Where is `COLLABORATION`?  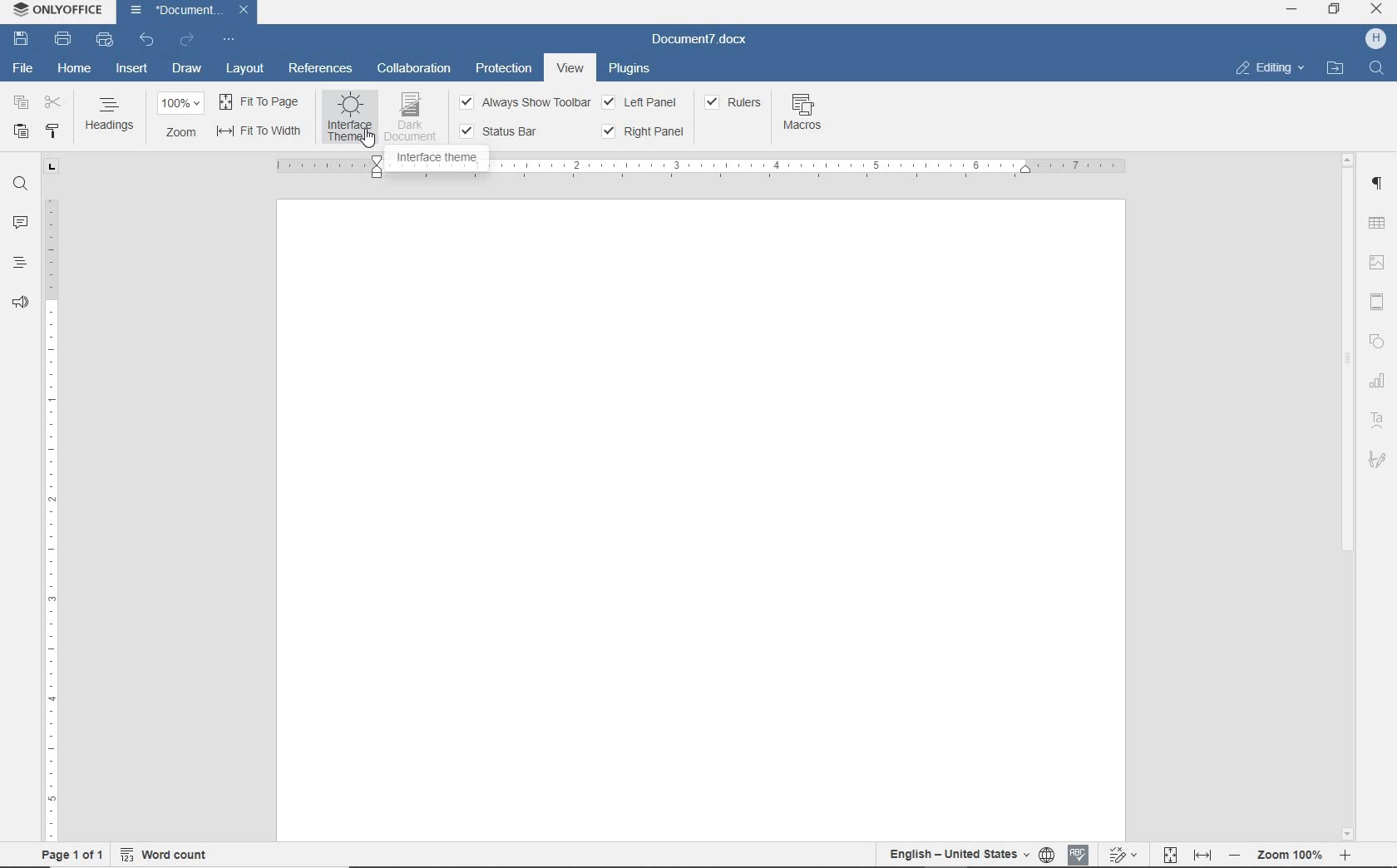
COLLABORATION is located at coordinates (414, 69).